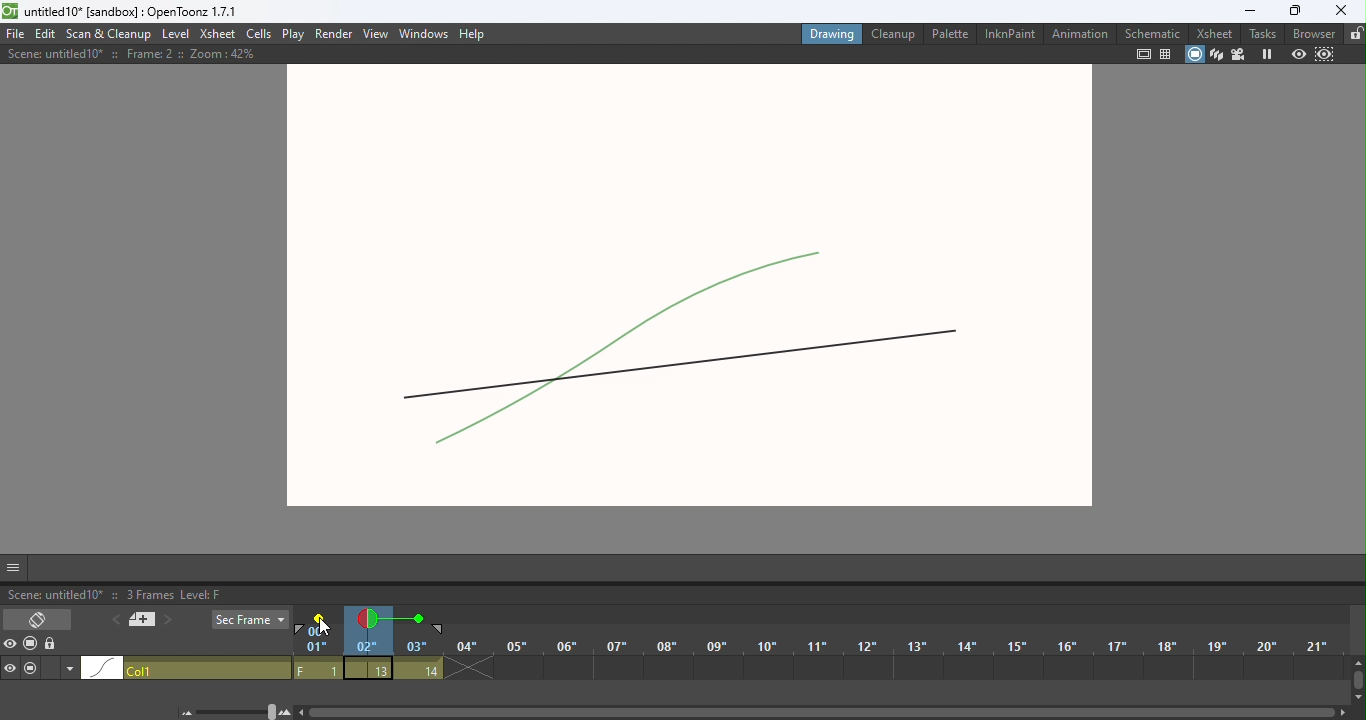 The width and height of the screenshot is (1366, 720). I want to click on Minimize, so click(1244, 10).